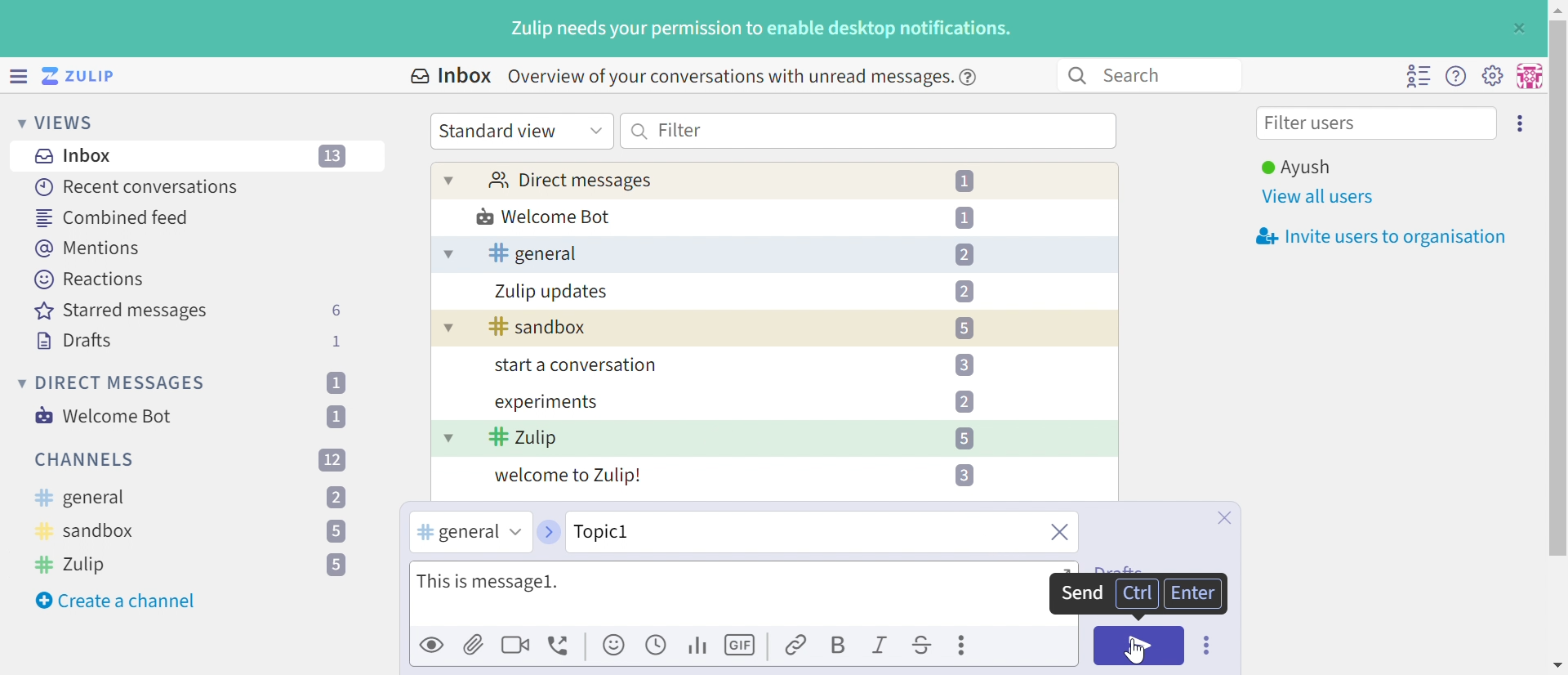  What do you see at coordinates (1558, 288) in the screenshot?
I see `vertical scrollbar` at bounding box center [1558, 288].